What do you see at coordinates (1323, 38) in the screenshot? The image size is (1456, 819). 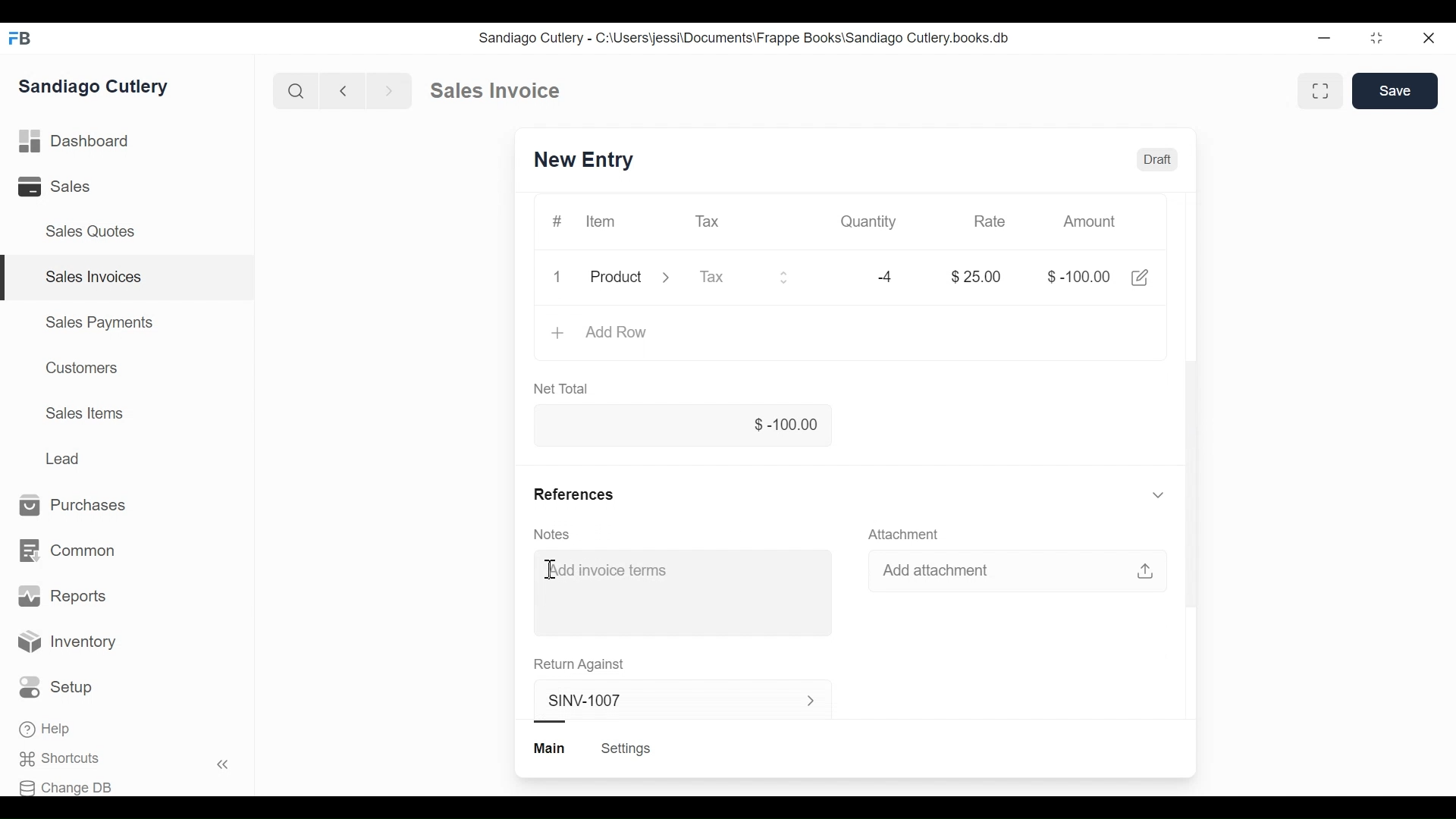 I see `Minimize` at bounding box center [1323, 38].